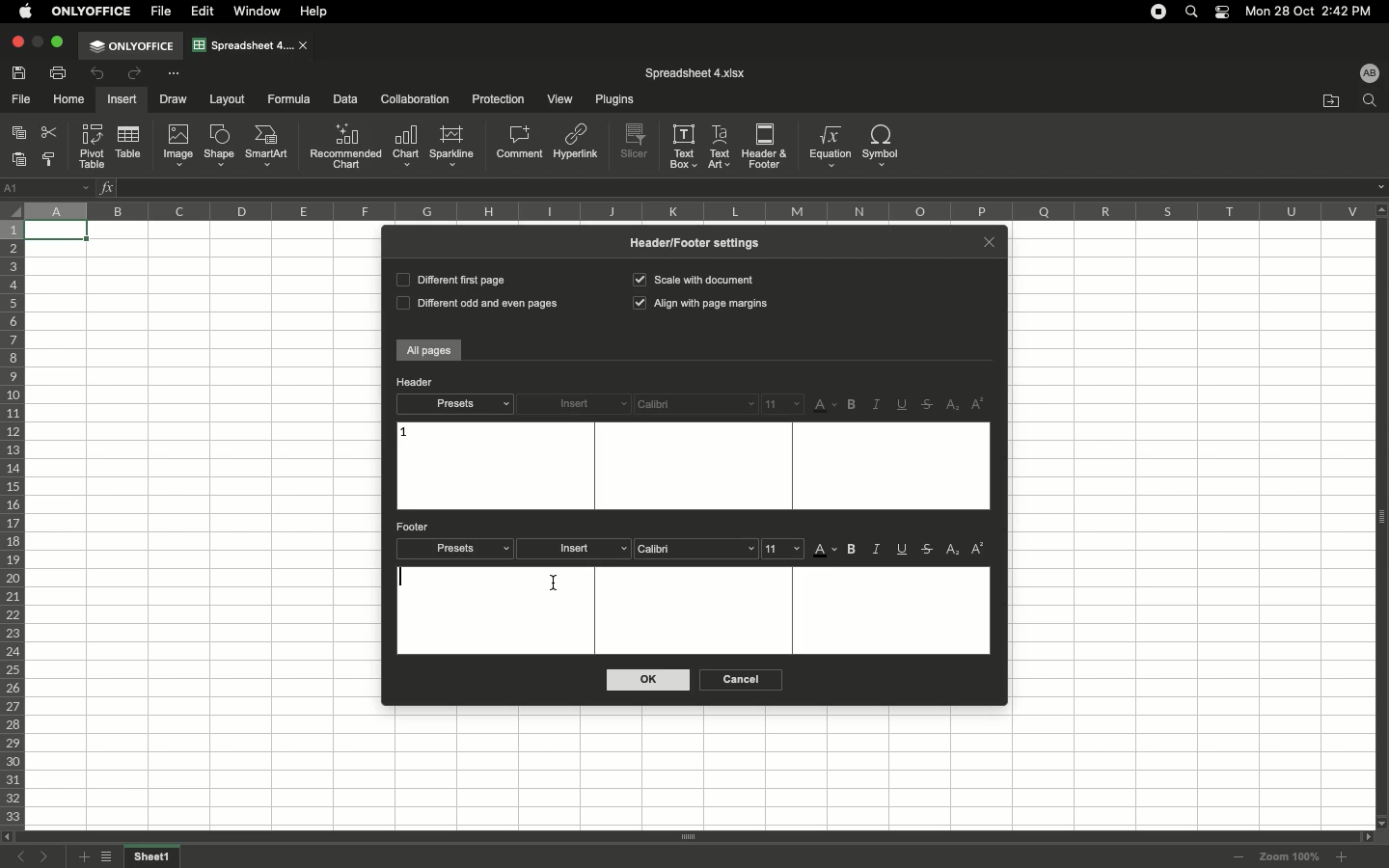 The width and height of the screenshot is (1389, 868). What do you see at coordinates (173, 72) in the screenshot?
I see `Customize tool bar` at bounding box center [173, 72].